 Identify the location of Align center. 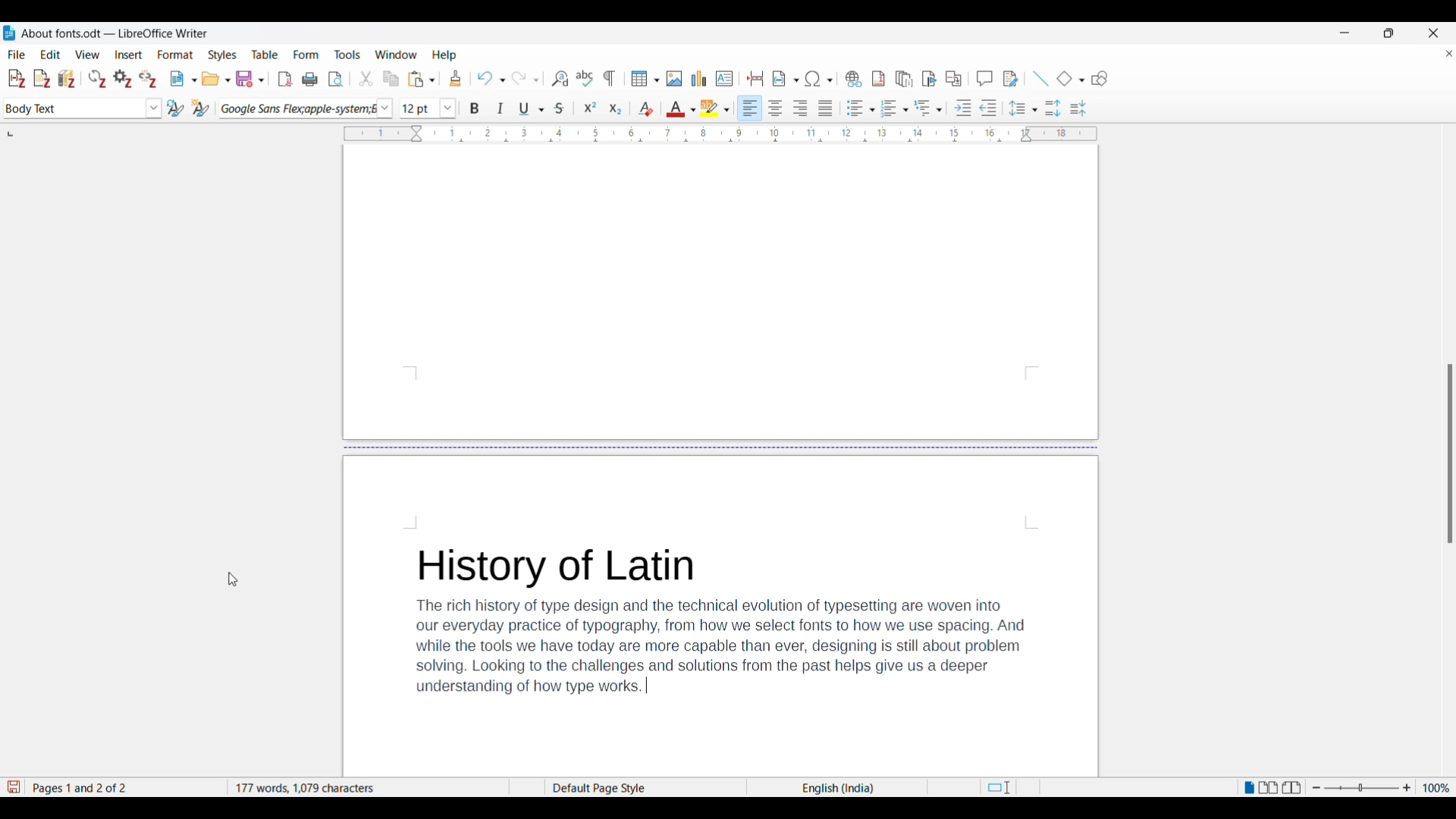
(775, 107).